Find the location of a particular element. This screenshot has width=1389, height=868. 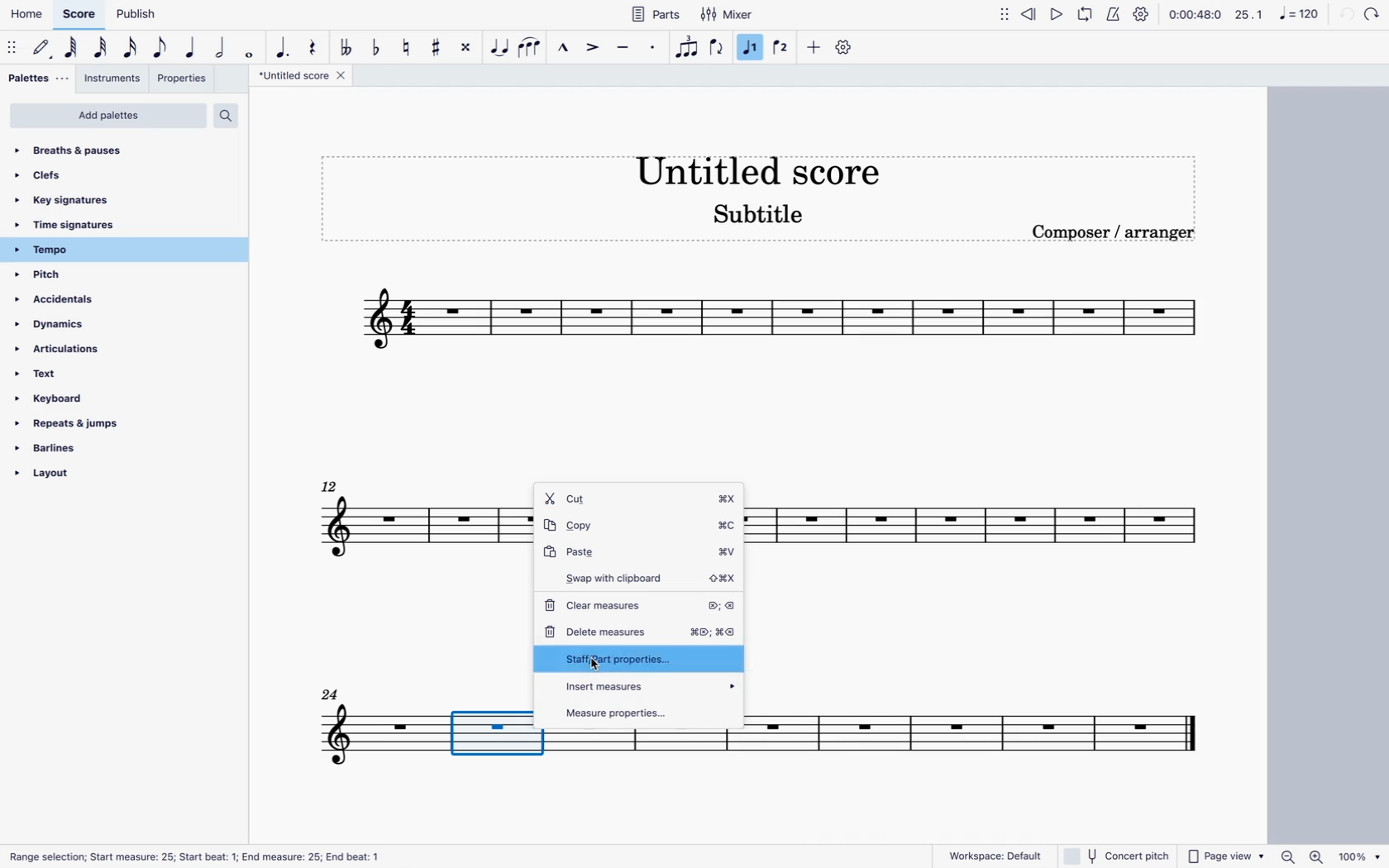

keyboard is located at coordinates (61, 398).